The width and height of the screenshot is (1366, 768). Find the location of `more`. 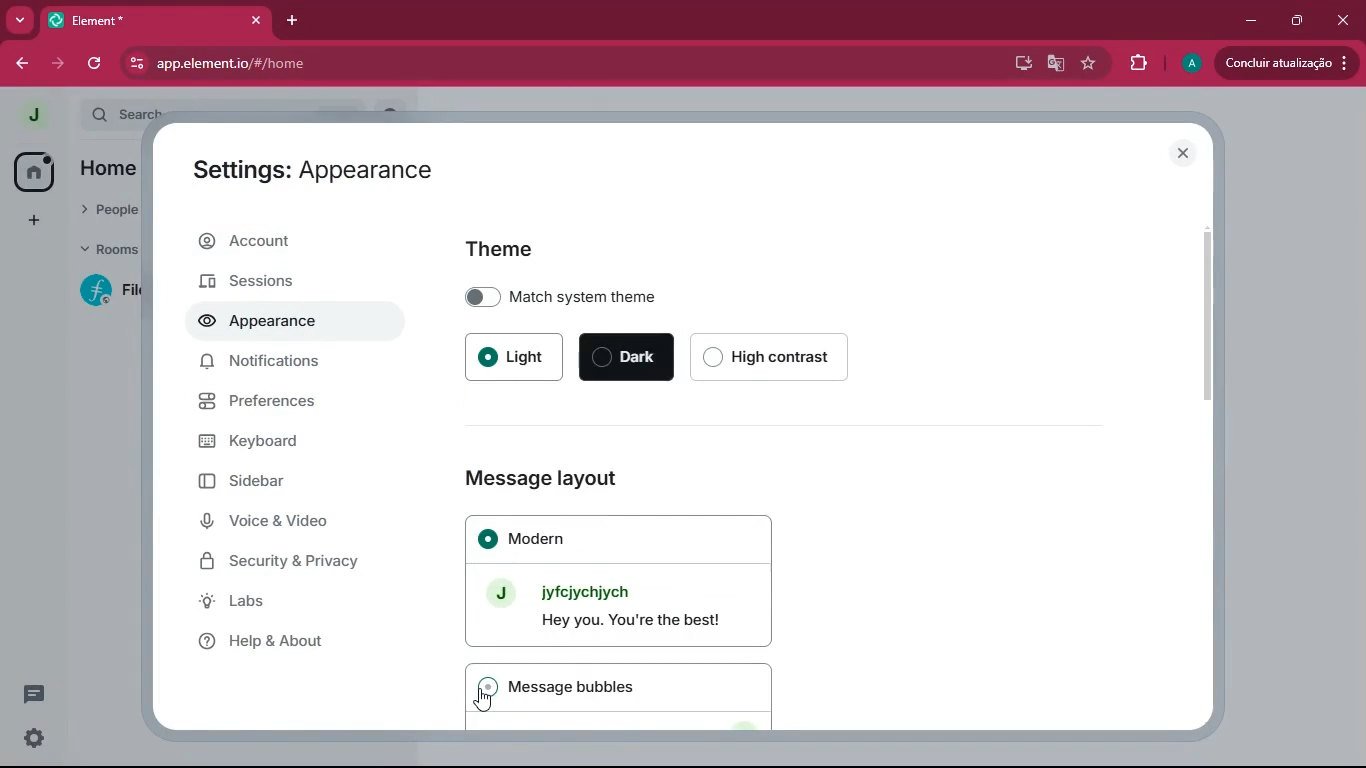

more is located at coordinates (20, 21).